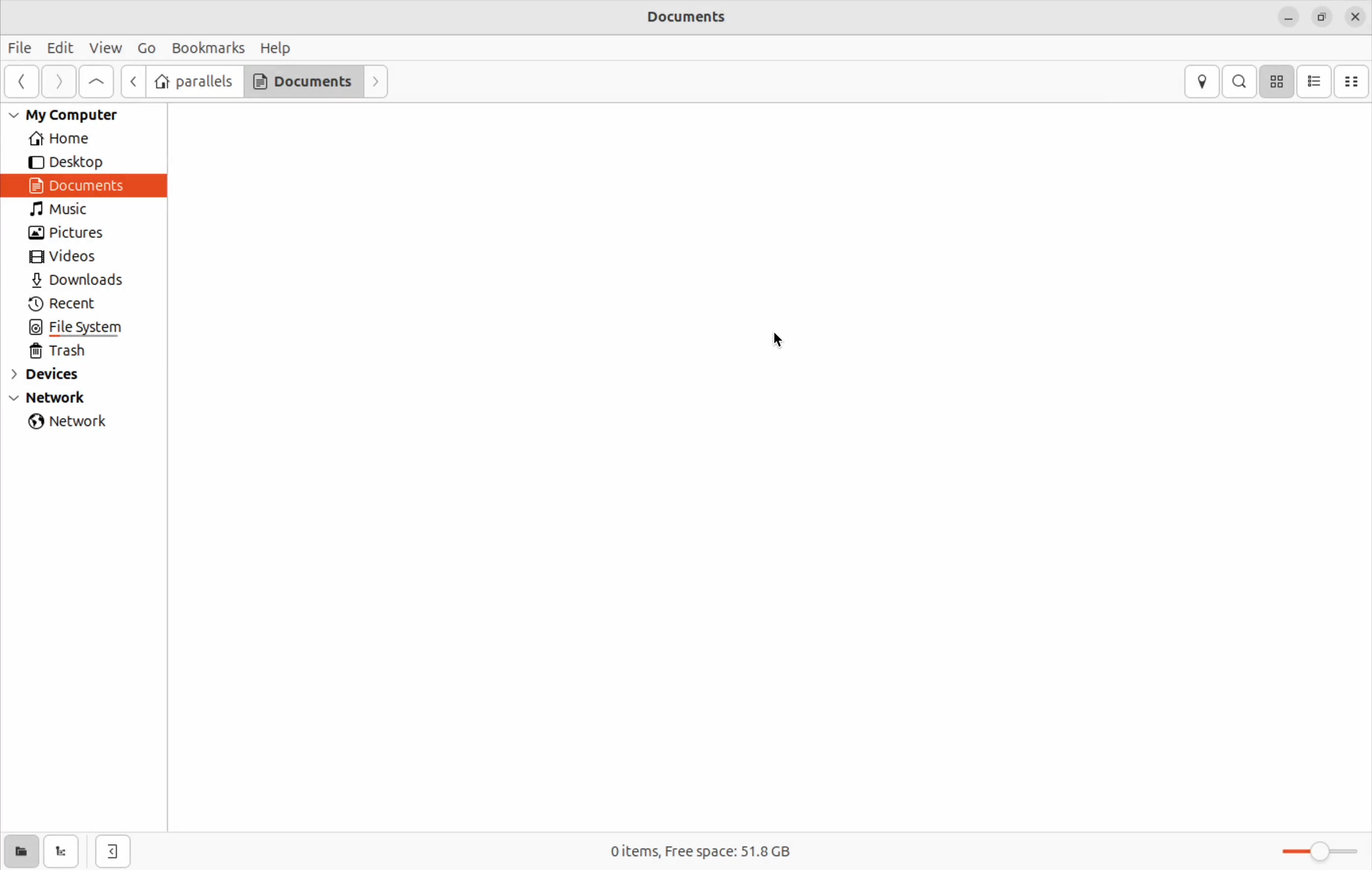 The width and height of the screenshot is (1372, 870). What do you see at coordinates (52, 374) in the screenshot?
I see `devices` at bounding box center [52, 374].